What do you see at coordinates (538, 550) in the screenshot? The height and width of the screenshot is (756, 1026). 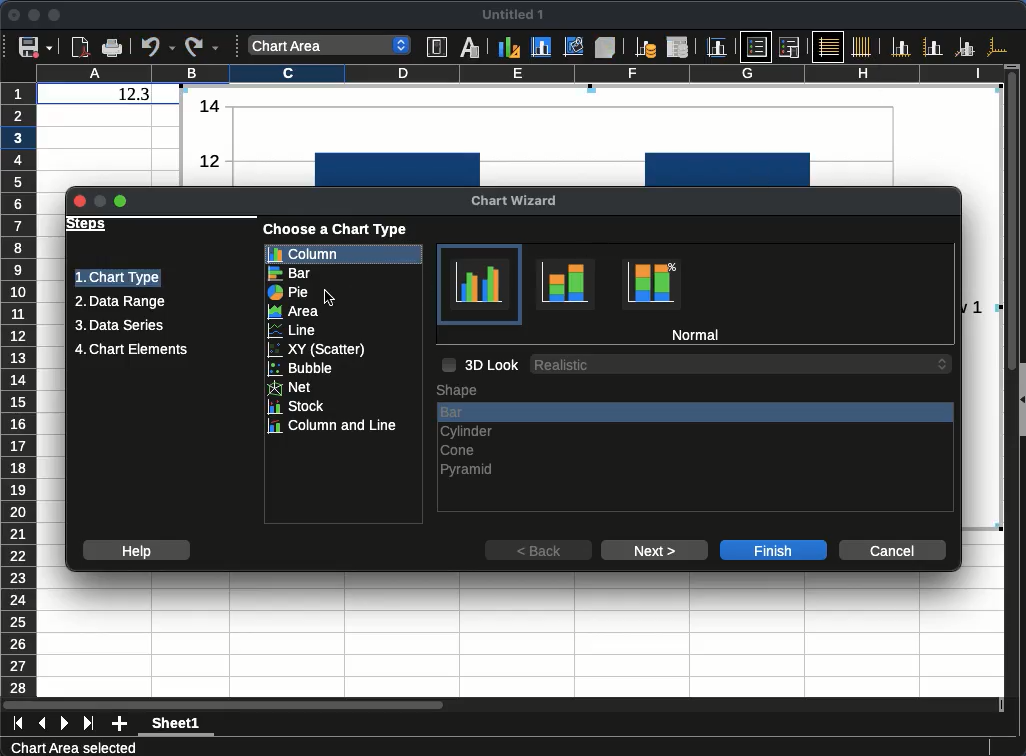 I see `back` at bounding box center [538, 550].